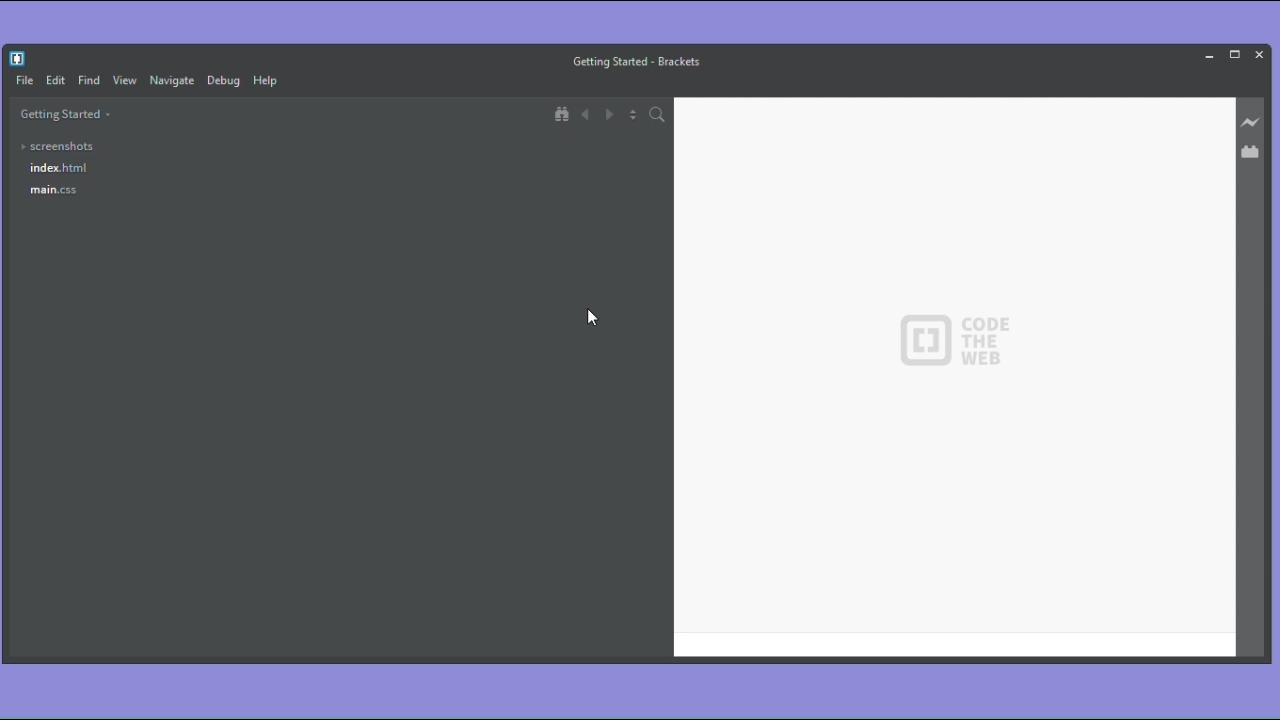 This screenshot has height=720, width=1280. Describe the element at coordinates (594, 318) in the screenshot. I see `cursor` at that location.